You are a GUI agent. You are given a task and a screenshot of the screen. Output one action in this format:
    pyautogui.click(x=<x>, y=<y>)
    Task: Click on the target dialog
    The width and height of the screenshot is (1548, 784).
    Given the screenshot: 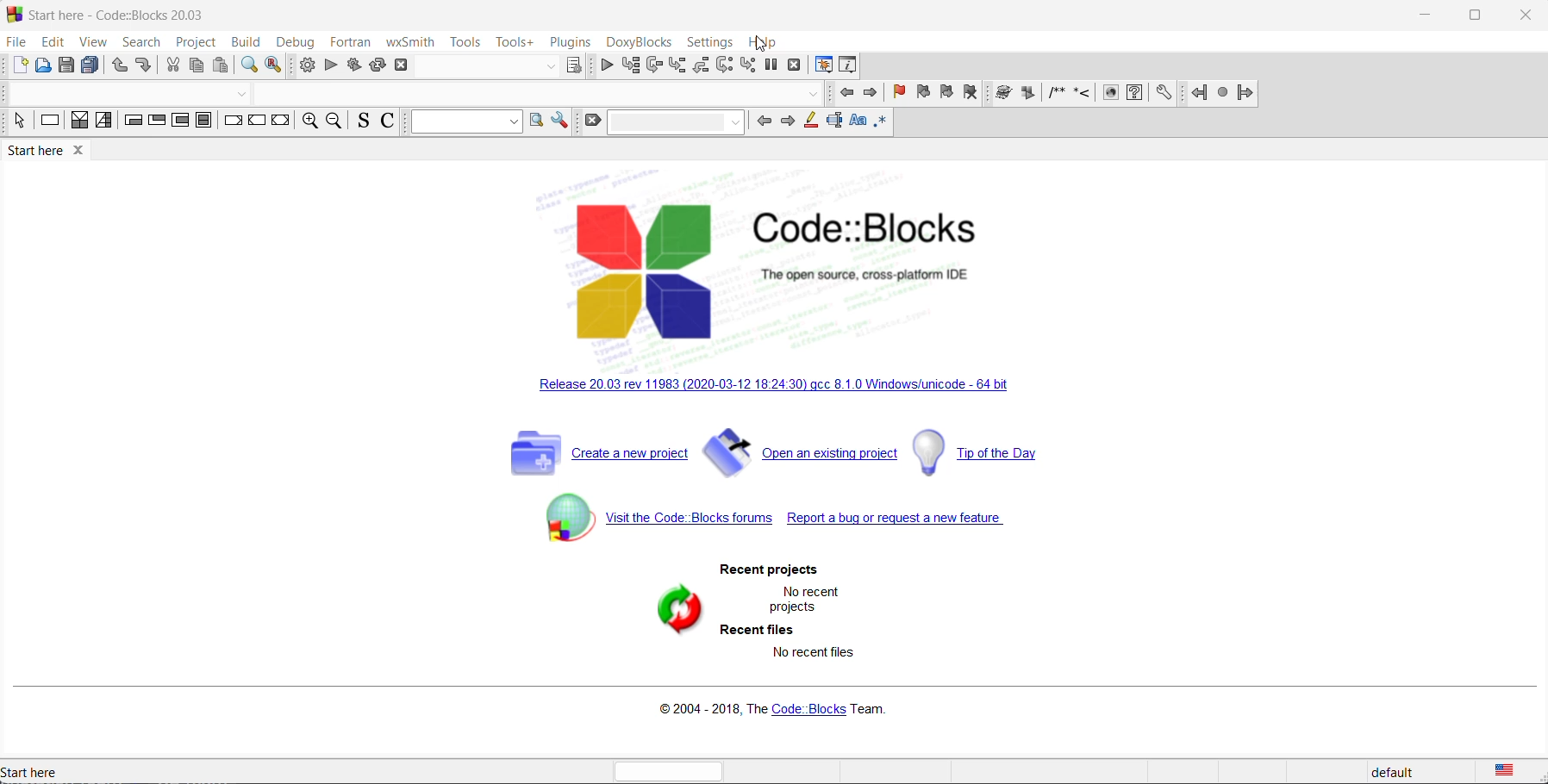 What is the action you would take?
    pyautogui.click(x=572, y=65)
    